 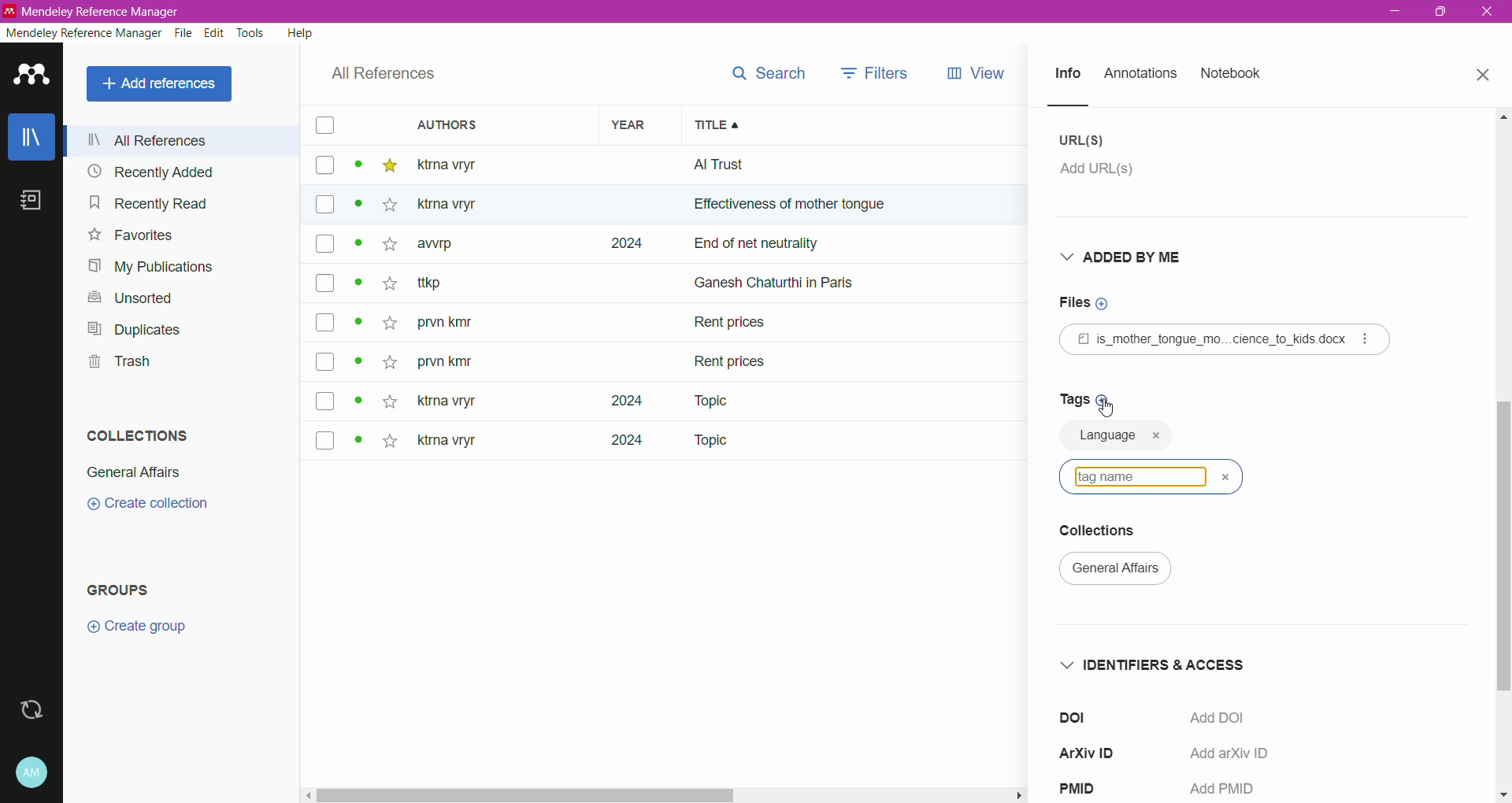 What do you see at coordinates (162, 84) in the screenshot?
I see `All References` at bounding box center [162, 84].